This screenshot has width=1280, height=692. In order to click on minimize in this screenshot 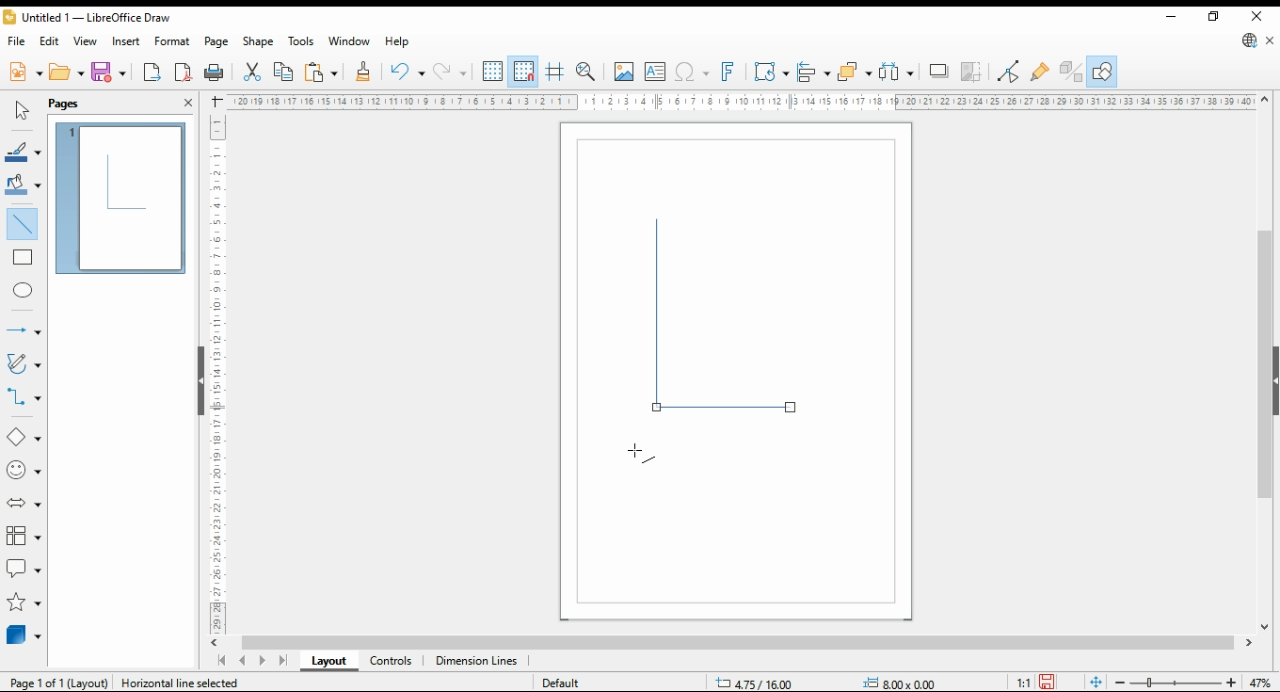, I will do `click(1171, 17)`.